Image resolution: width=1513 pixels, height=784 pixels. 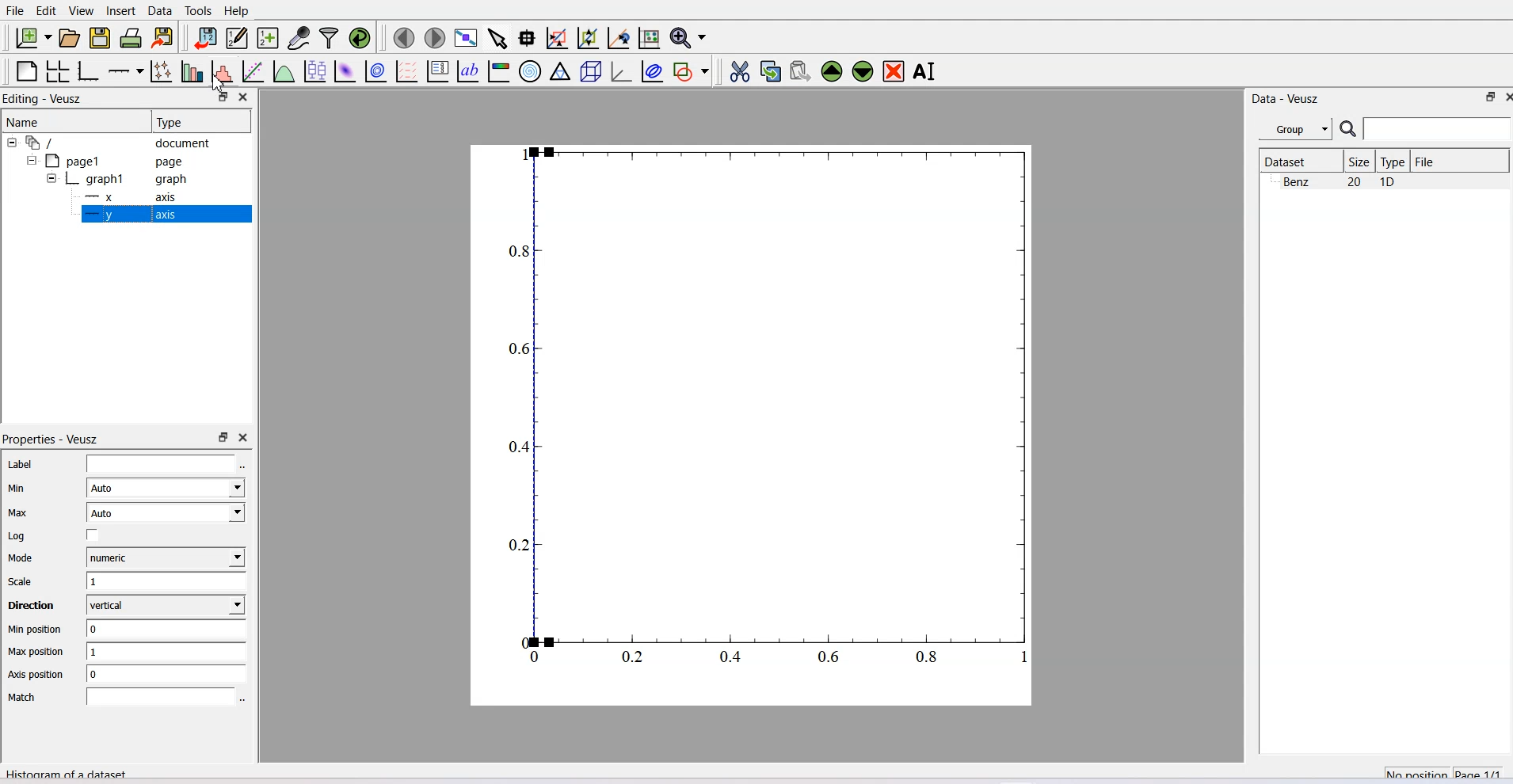 What do you see at coordinates (558, 38) in the screenshot?
I see `Draw rectangle to zoom graph axes` at bounding box center [558, 38].